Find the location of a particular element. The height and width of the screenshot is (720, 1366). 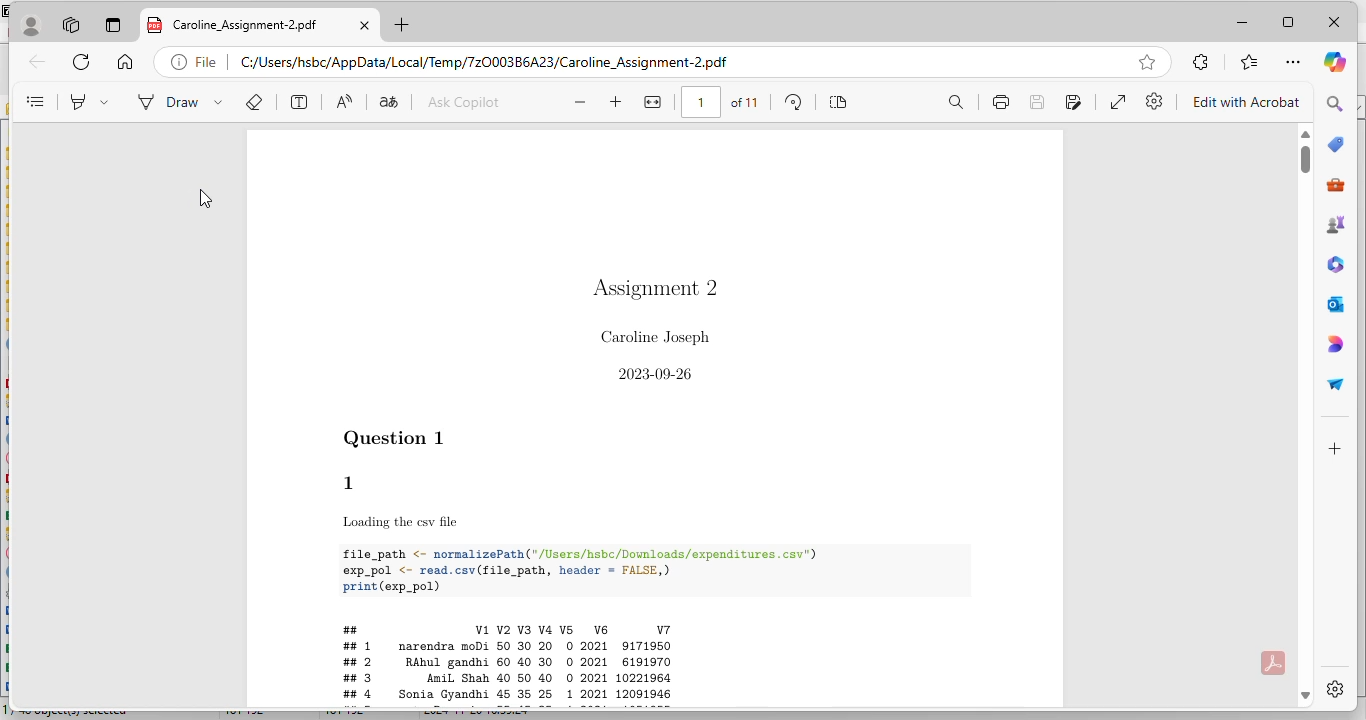

1 of 11 is located at coordinates (722, 102).